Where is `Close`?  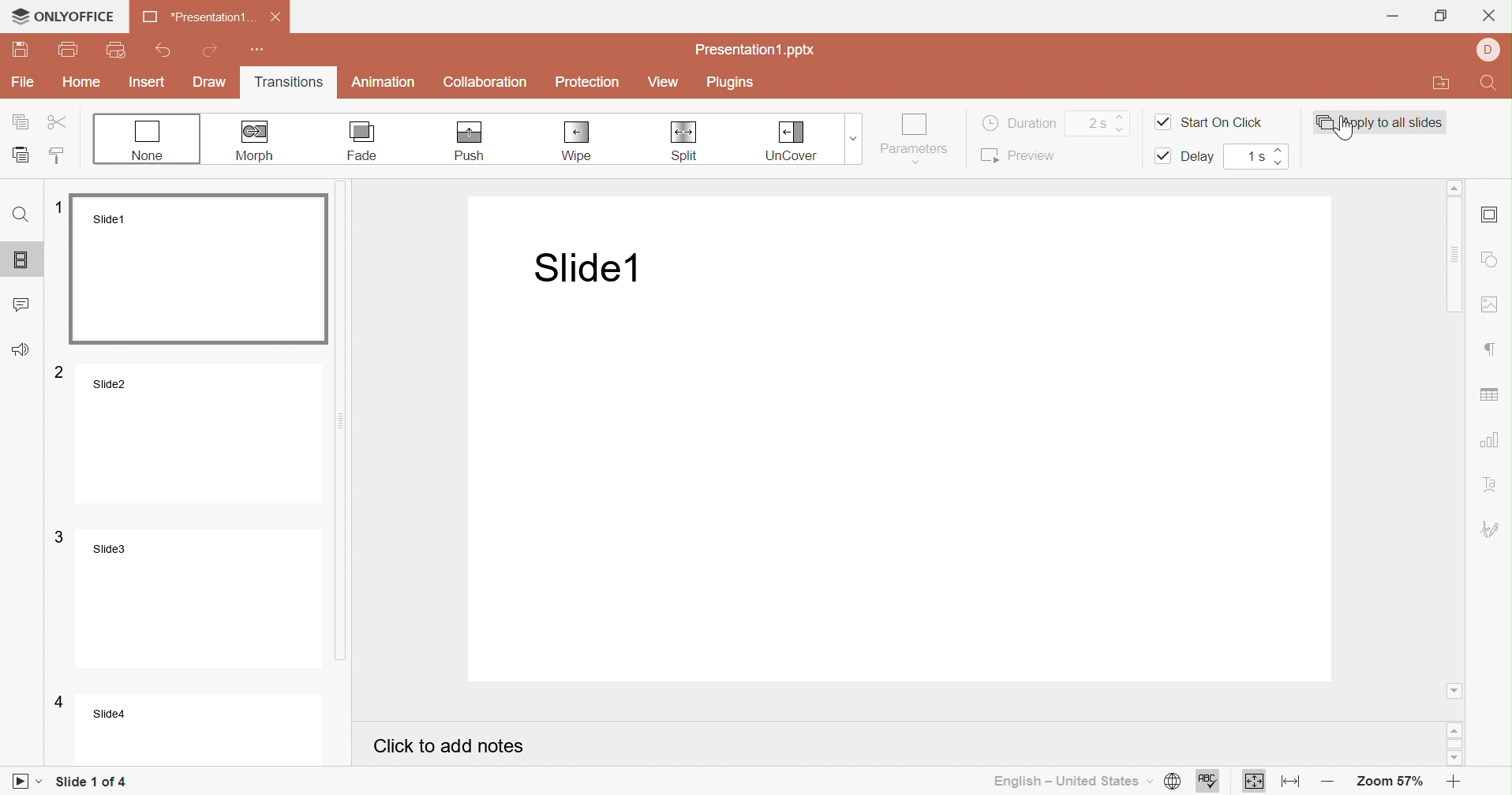
Close is located at coordinates (276, 17).